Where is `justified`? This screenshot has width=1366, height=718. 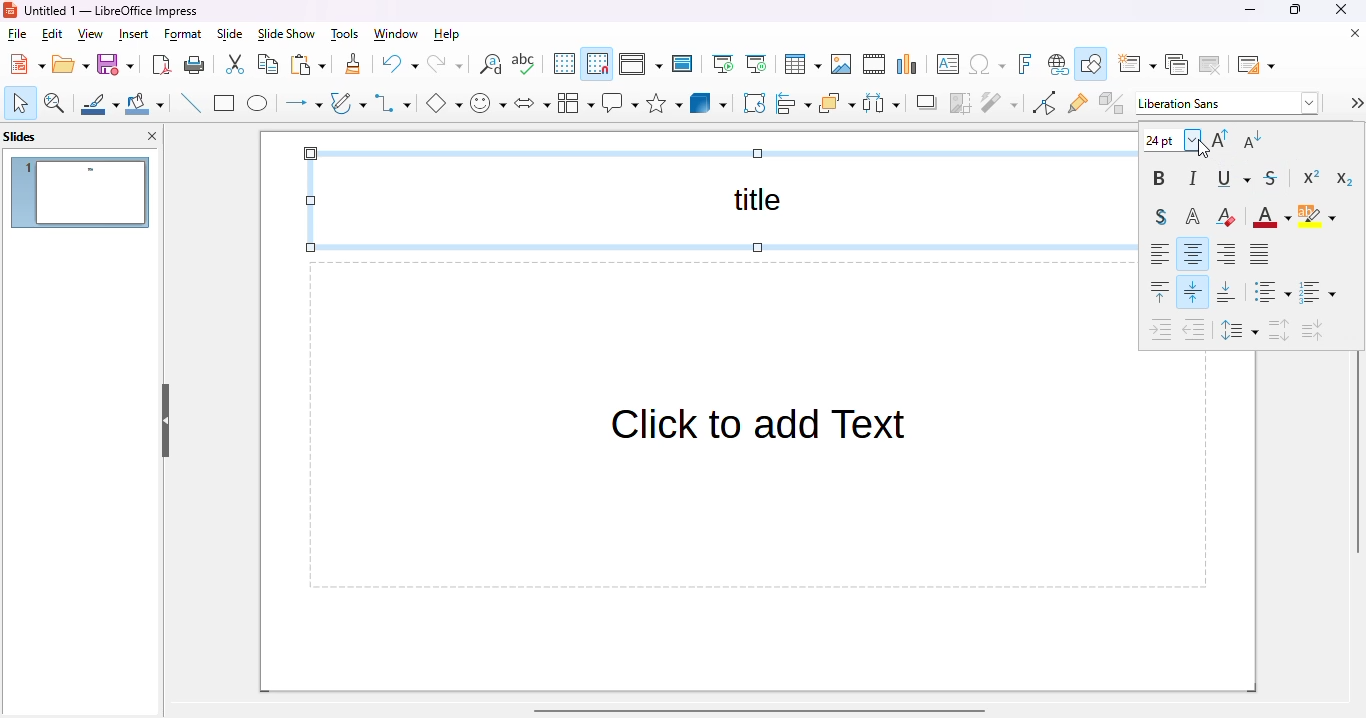 justified is located at coordinates (1260, 252).